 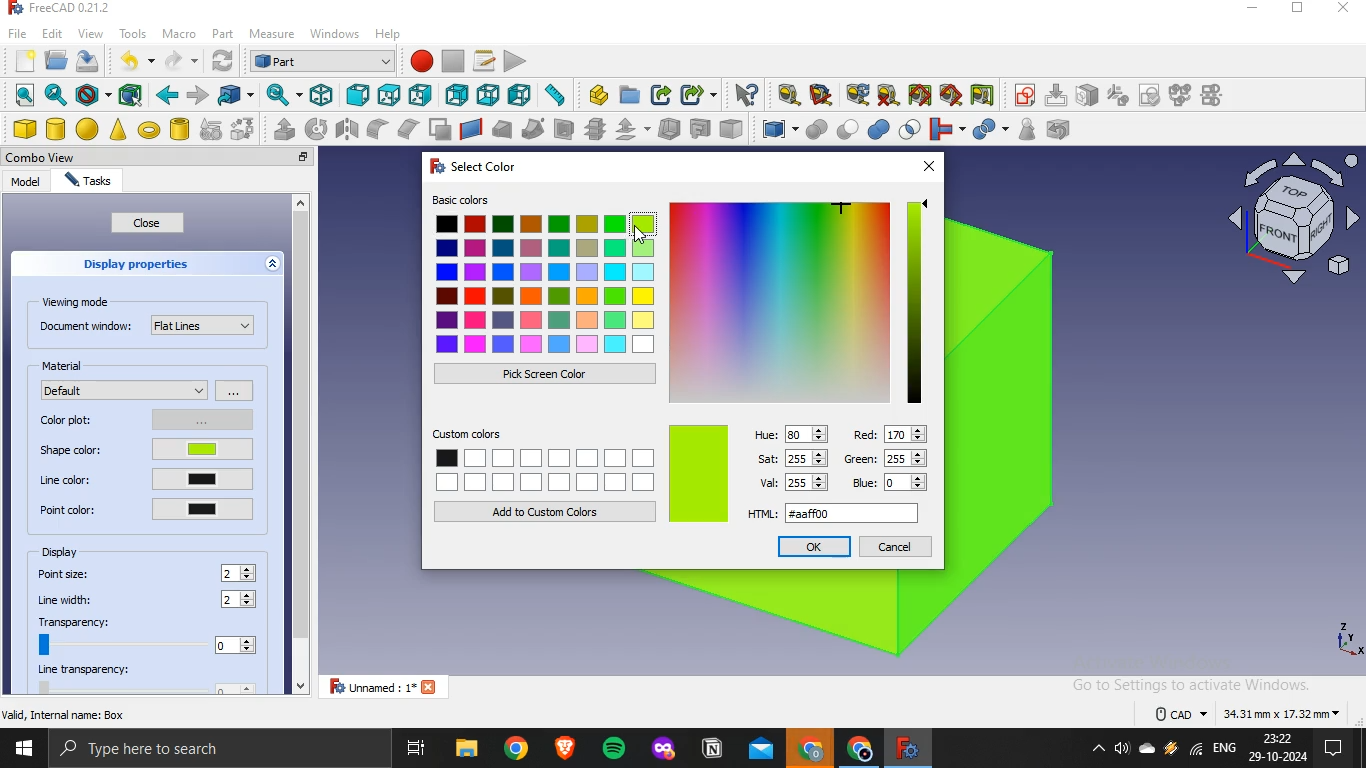 What do you see at coordinates (731, 128) in the screenshot?
I see `color per face` at bounding box center [731, 128].